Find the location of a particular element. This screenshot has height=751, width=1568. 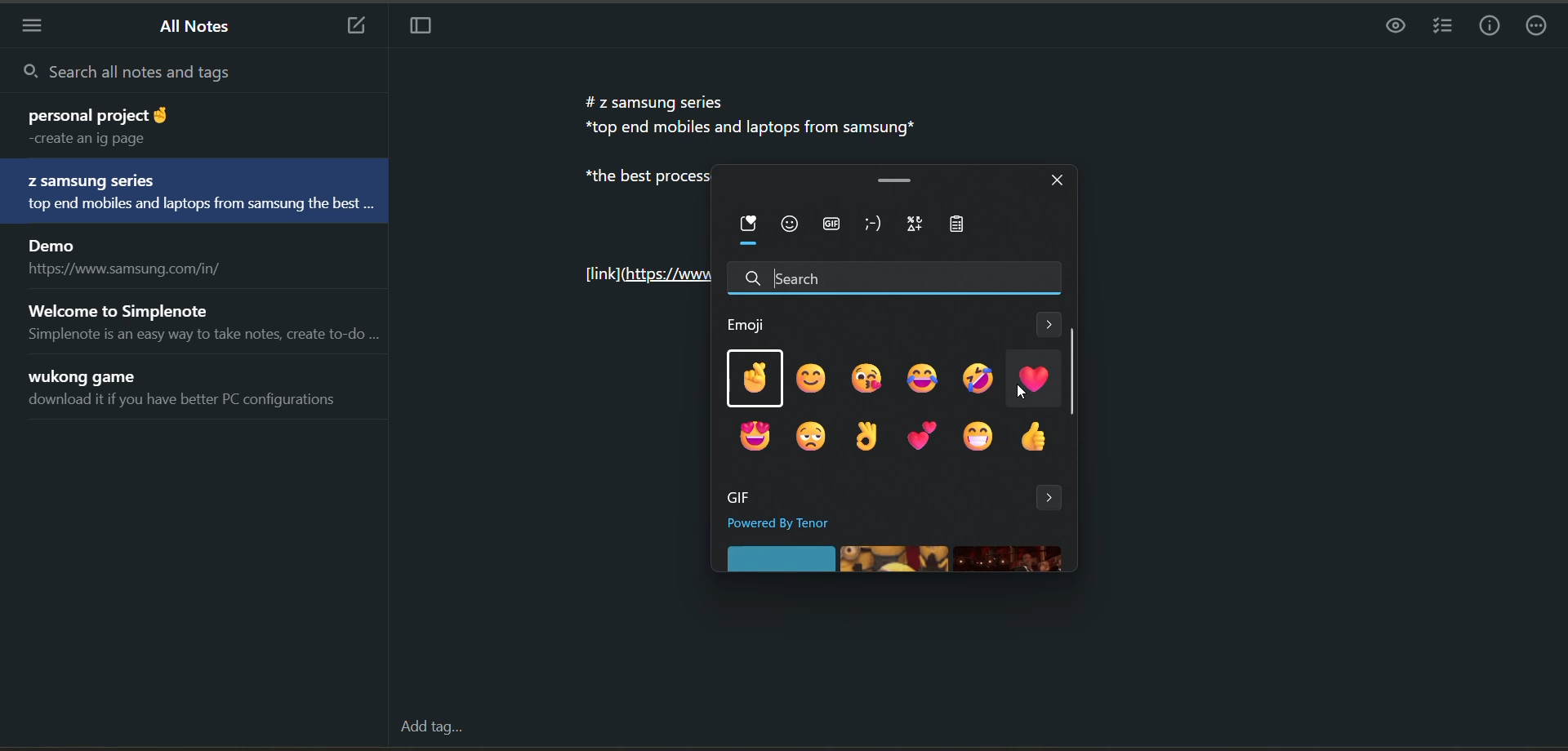

emoji 11 is located at coordinates (978, 438).